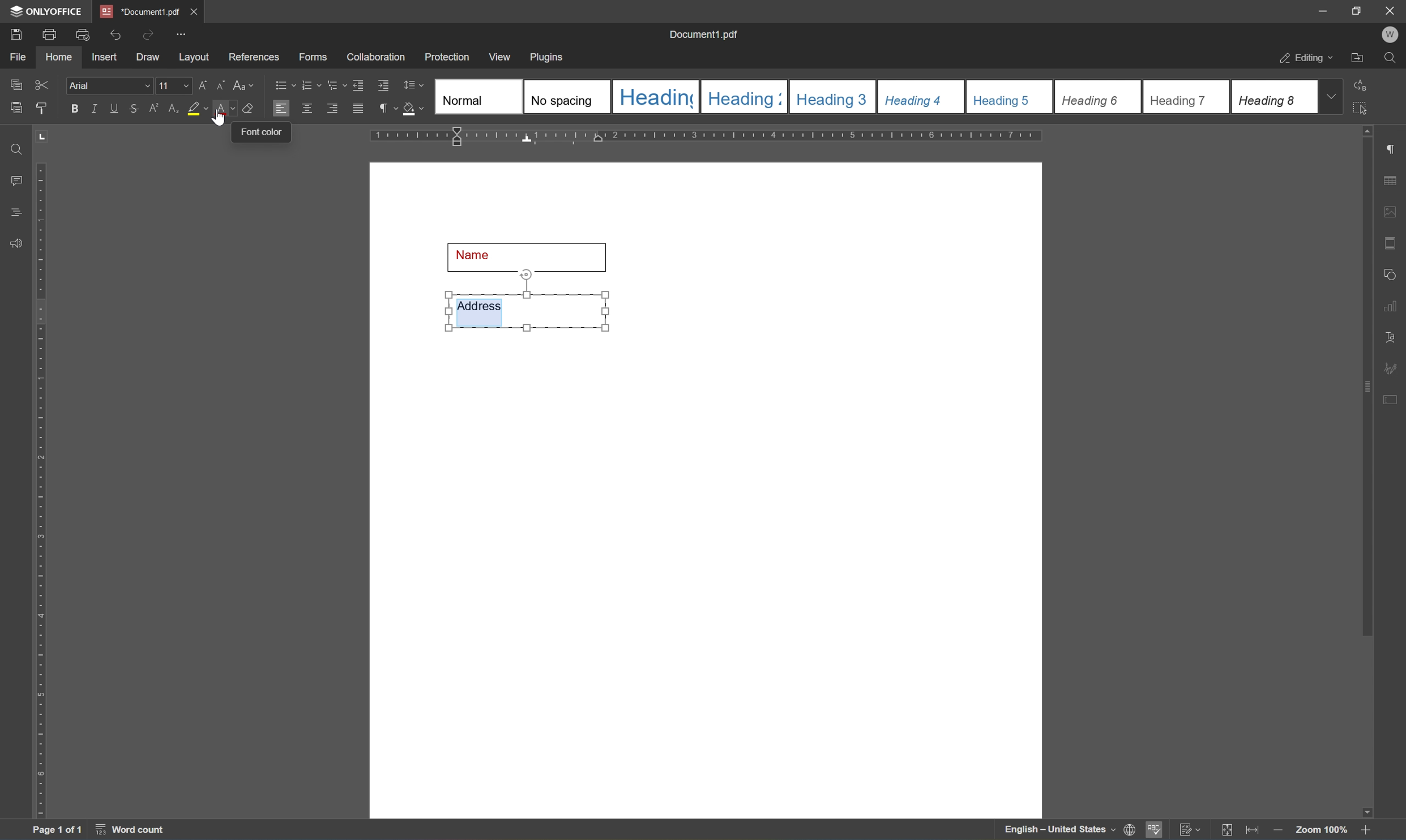 The width and height of the screenshot is (1406, 840). Describe the element at coordinates (1357, 58) in the screenshot. I see `open file location` at that location.